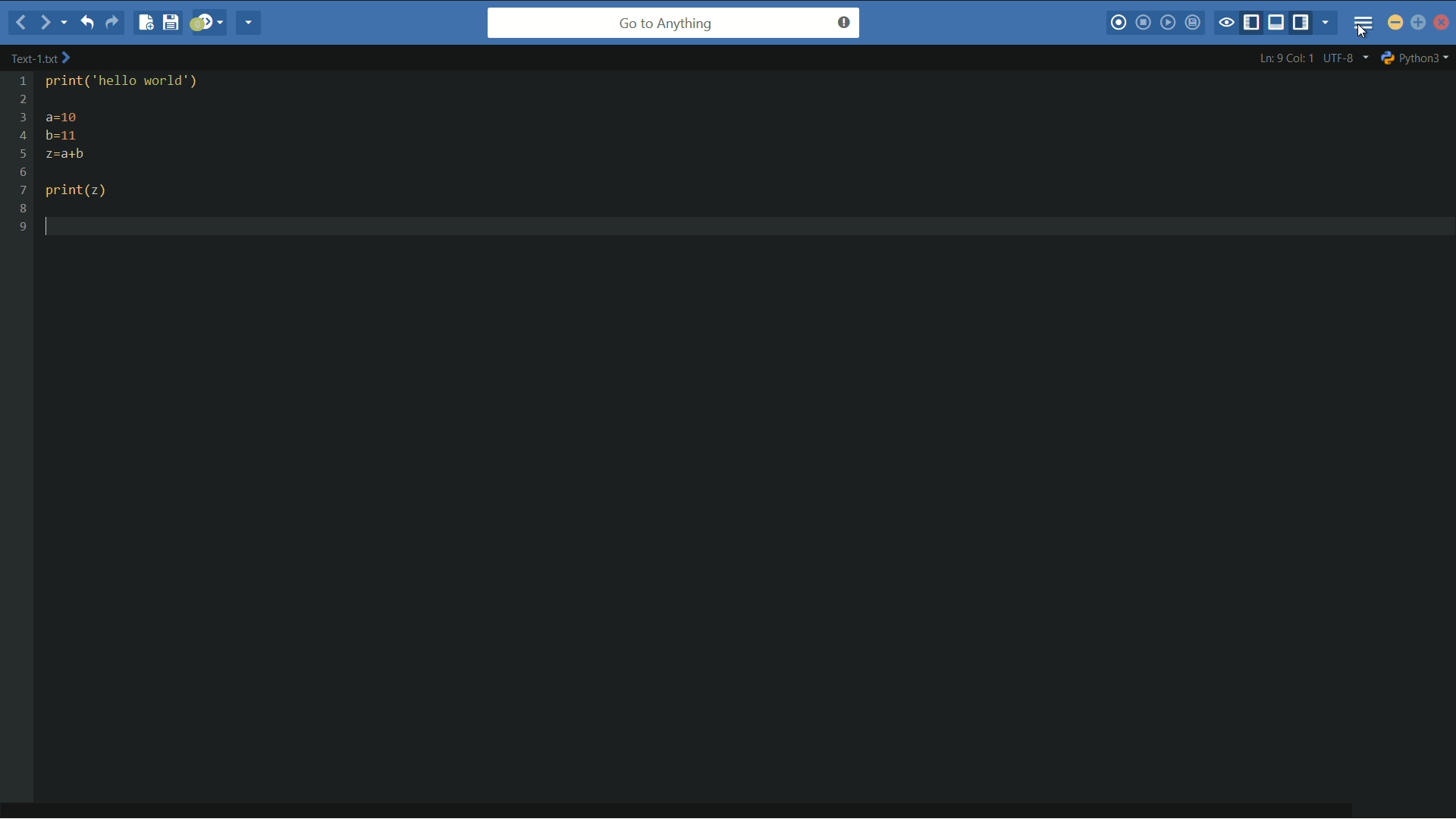  Describe the element at coordinates (1194, 24) in the screenshot. I see `save macro to toolbox` at that location.